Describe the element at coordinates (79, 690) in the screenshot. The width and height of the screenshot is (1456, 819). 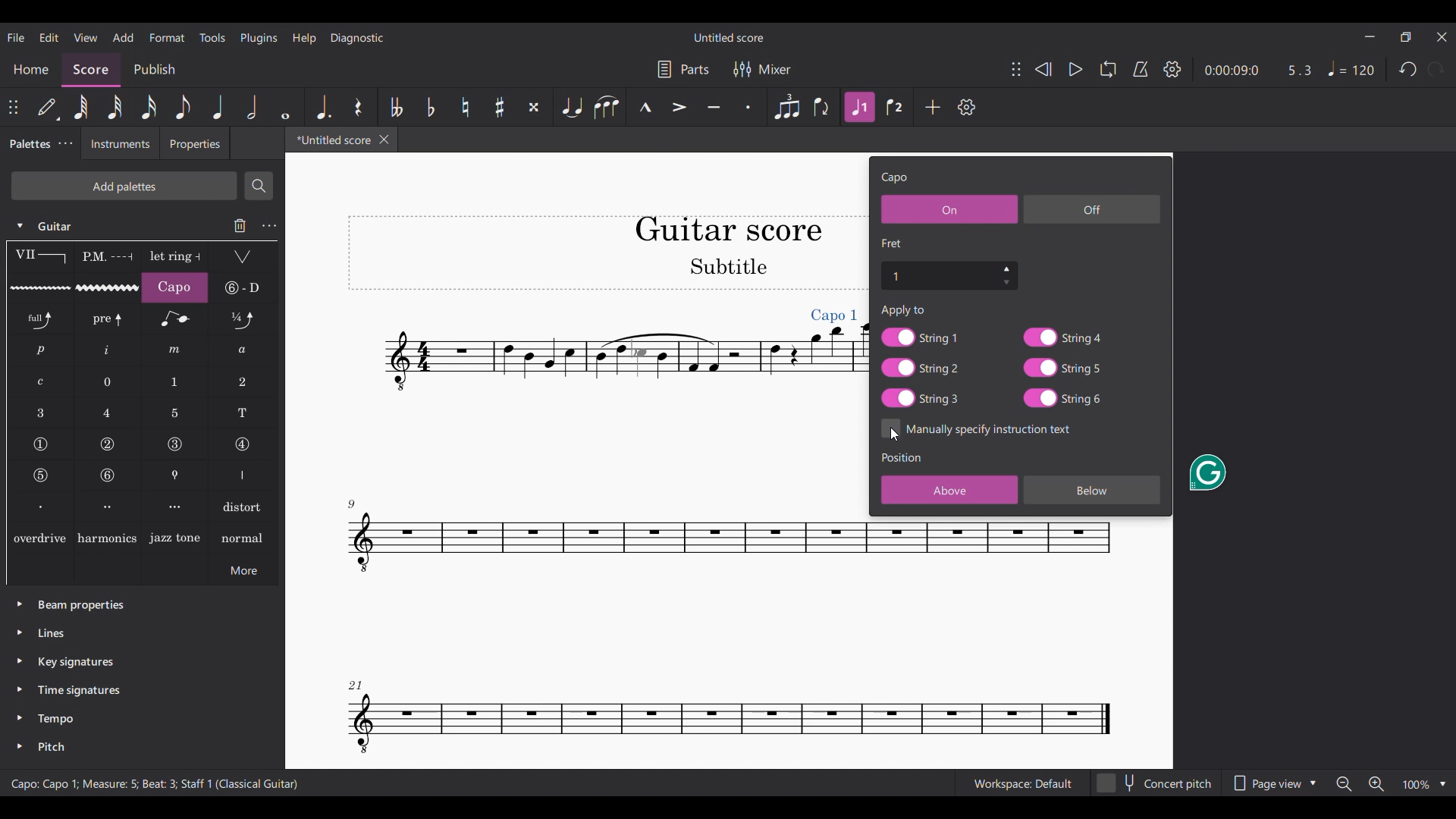
I see `Time signatures palette` at that location.